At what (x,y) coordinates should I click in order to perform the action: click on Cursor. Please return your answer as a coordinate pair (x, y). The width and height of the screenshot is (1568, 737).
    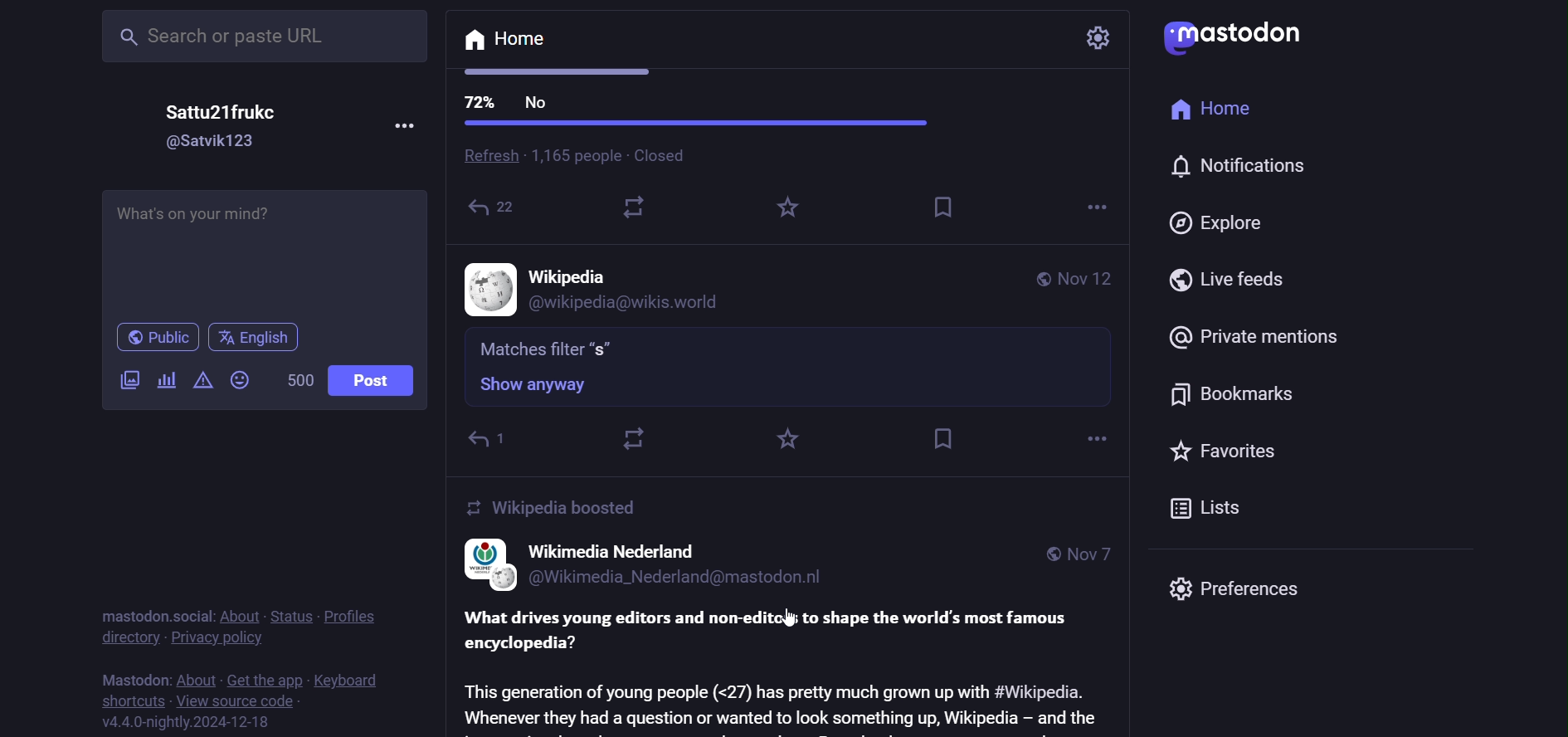
    Looking at the image, I should click on (791, 621).